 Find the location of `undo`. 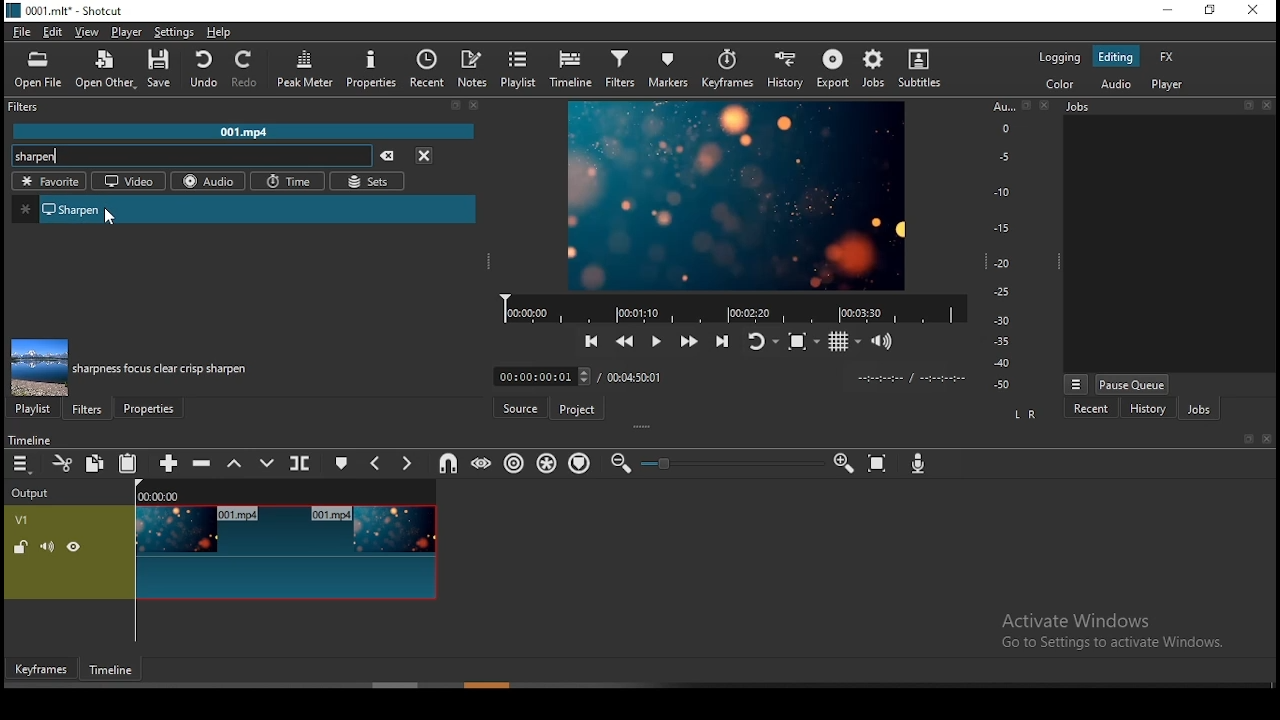

undo is located at coordinates (203, 70).